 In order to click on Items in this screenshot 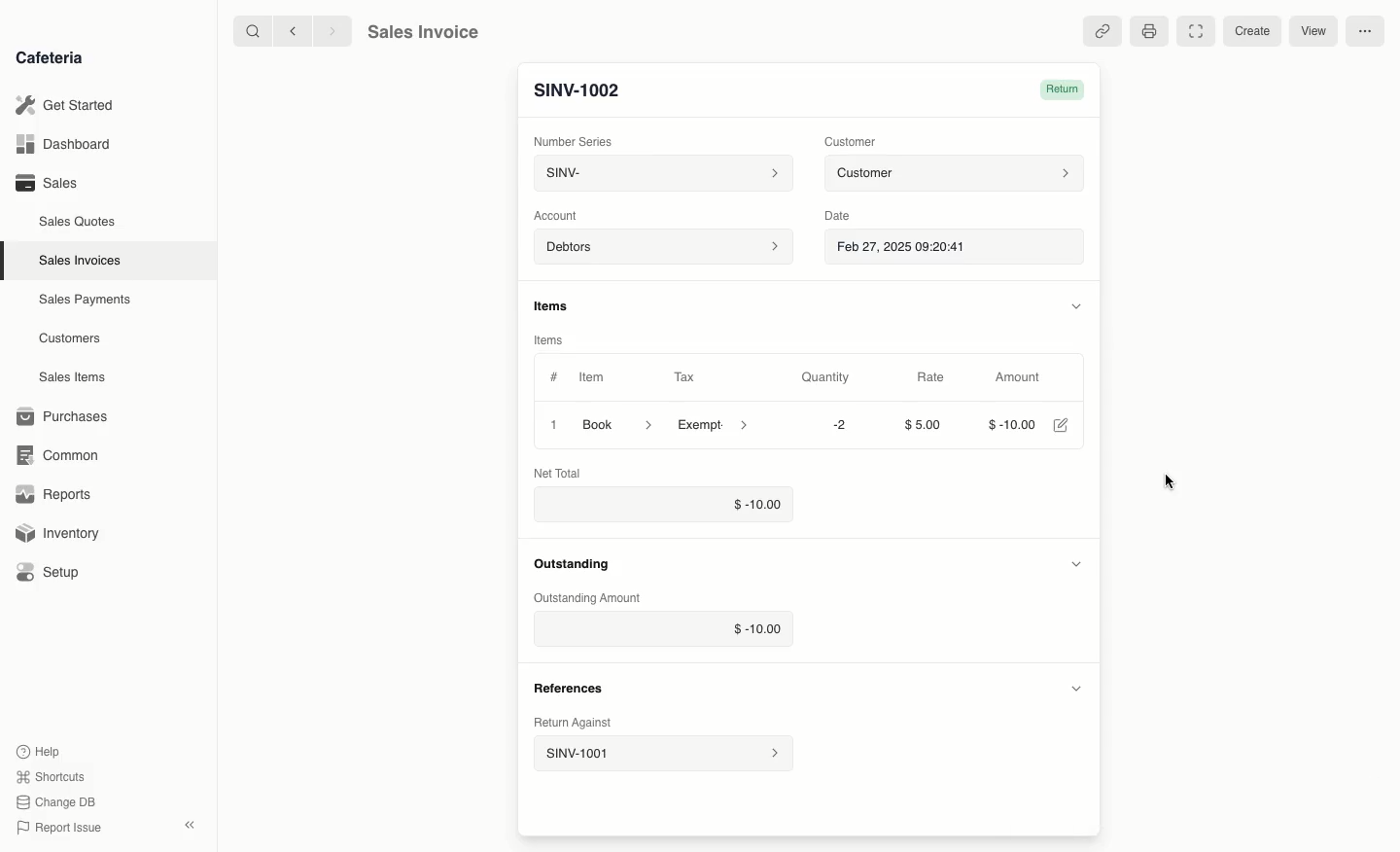, I will do `click(547, 341)`.